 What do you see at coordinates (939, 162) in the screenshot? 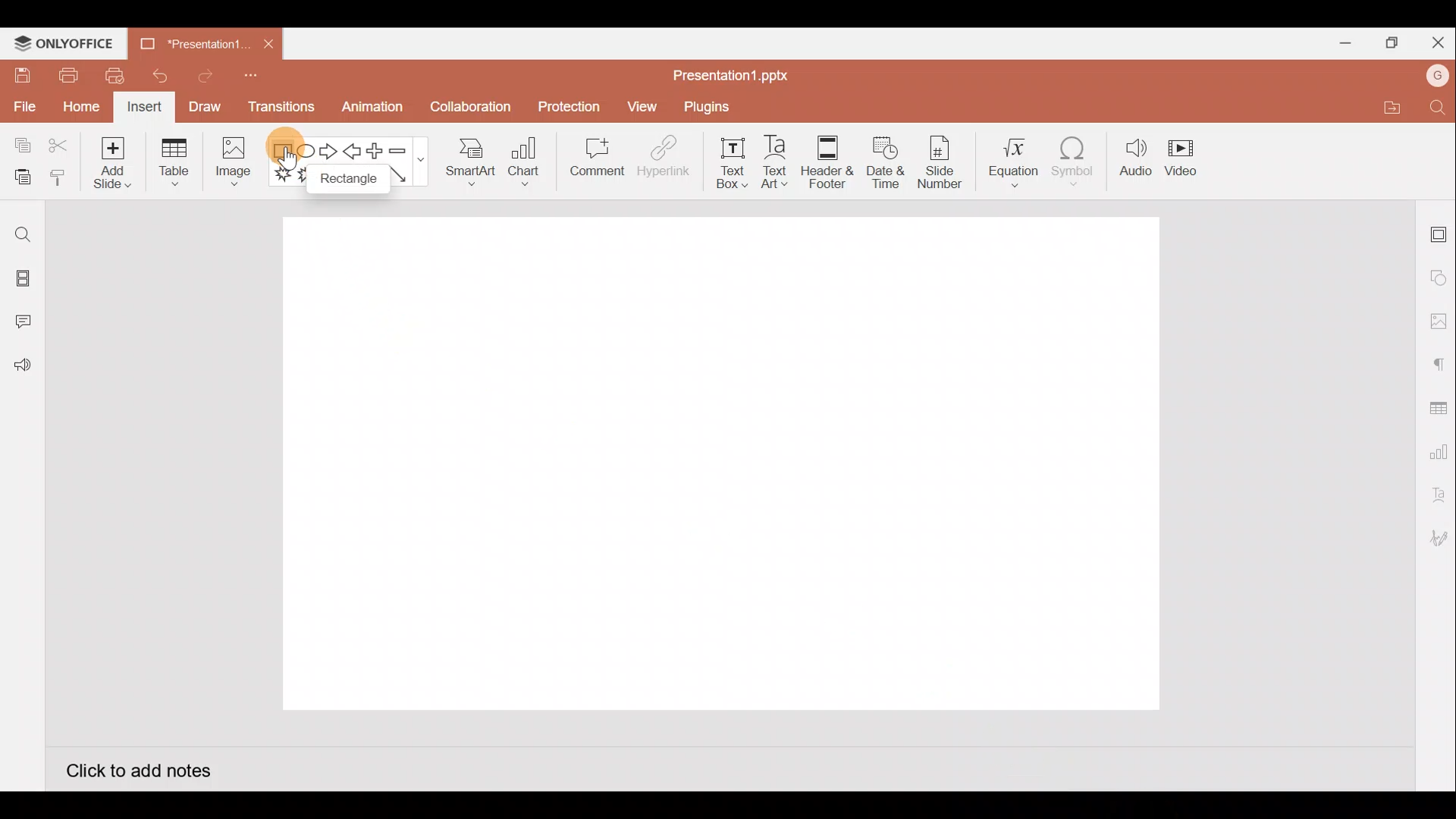
I see `Slide number` at bounding box center [939, 162].